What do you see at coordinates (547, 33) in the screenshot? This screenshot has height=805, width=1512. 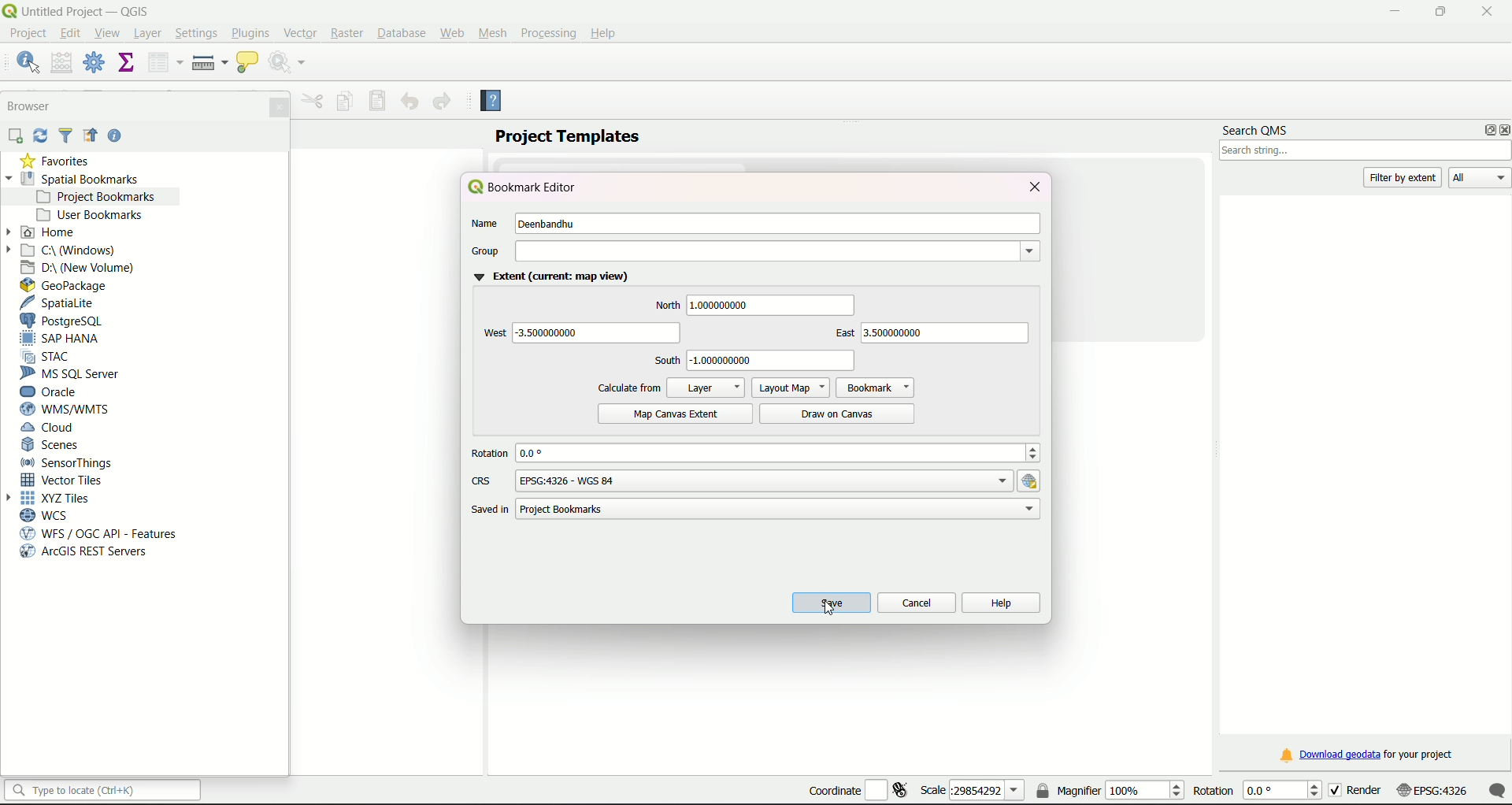 I see `Processing` at bounding box center [547, 33].